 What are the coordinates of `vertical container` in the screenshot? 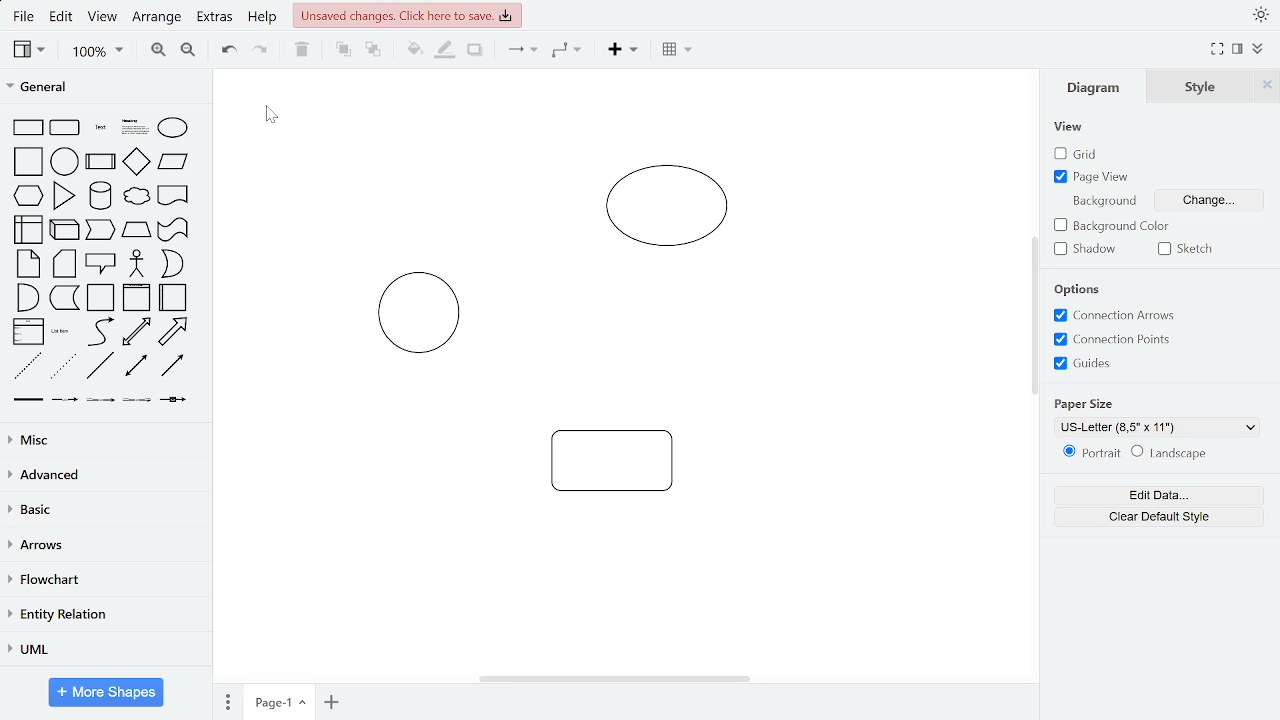 It's located at (136, 299).